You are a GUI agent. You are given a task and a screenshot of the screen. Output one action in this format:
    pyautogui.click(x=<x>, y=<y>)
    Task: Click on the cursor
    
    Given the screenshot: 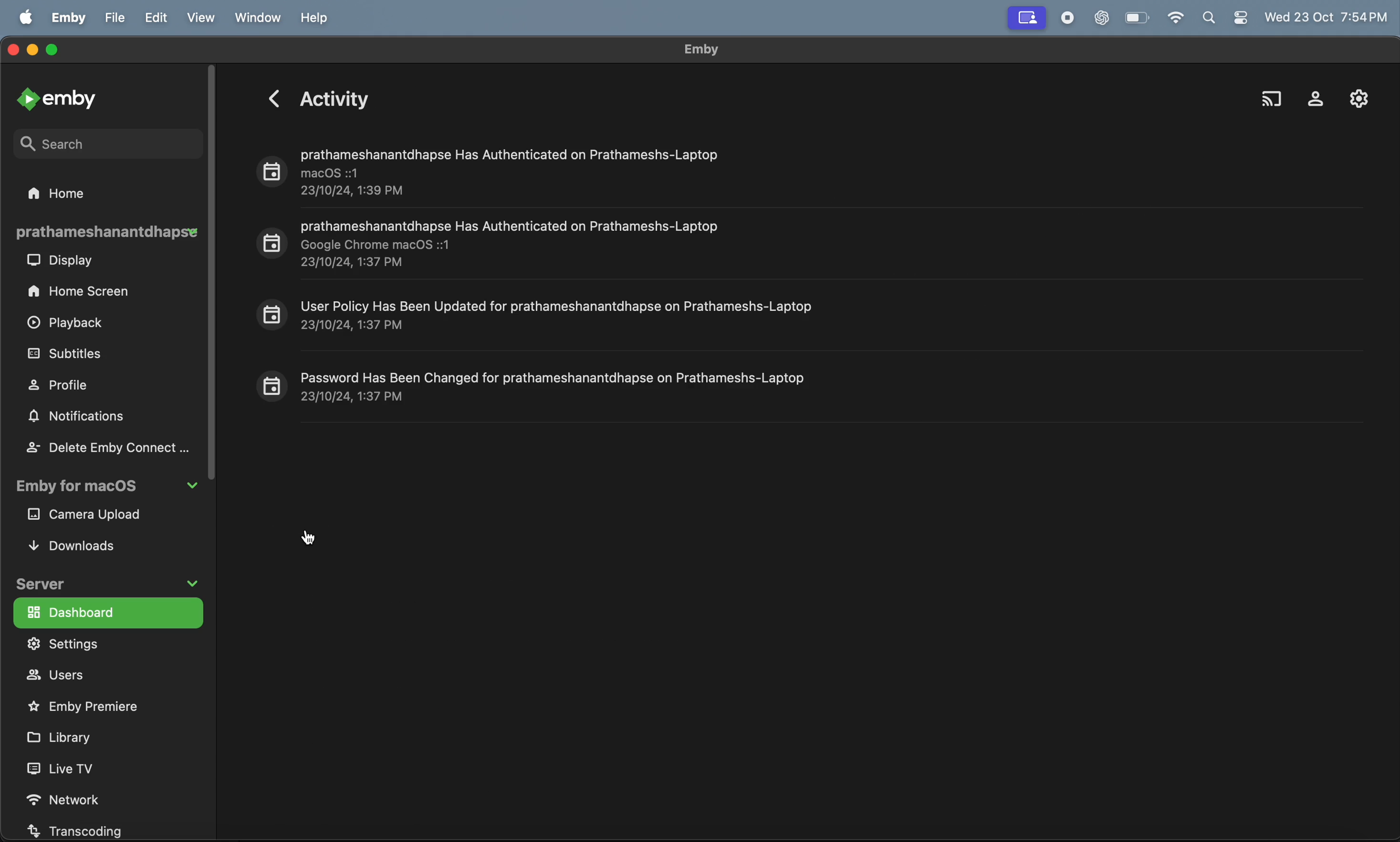 What is the action you would take?
    pyautogui.click(x=310, y=537)
    